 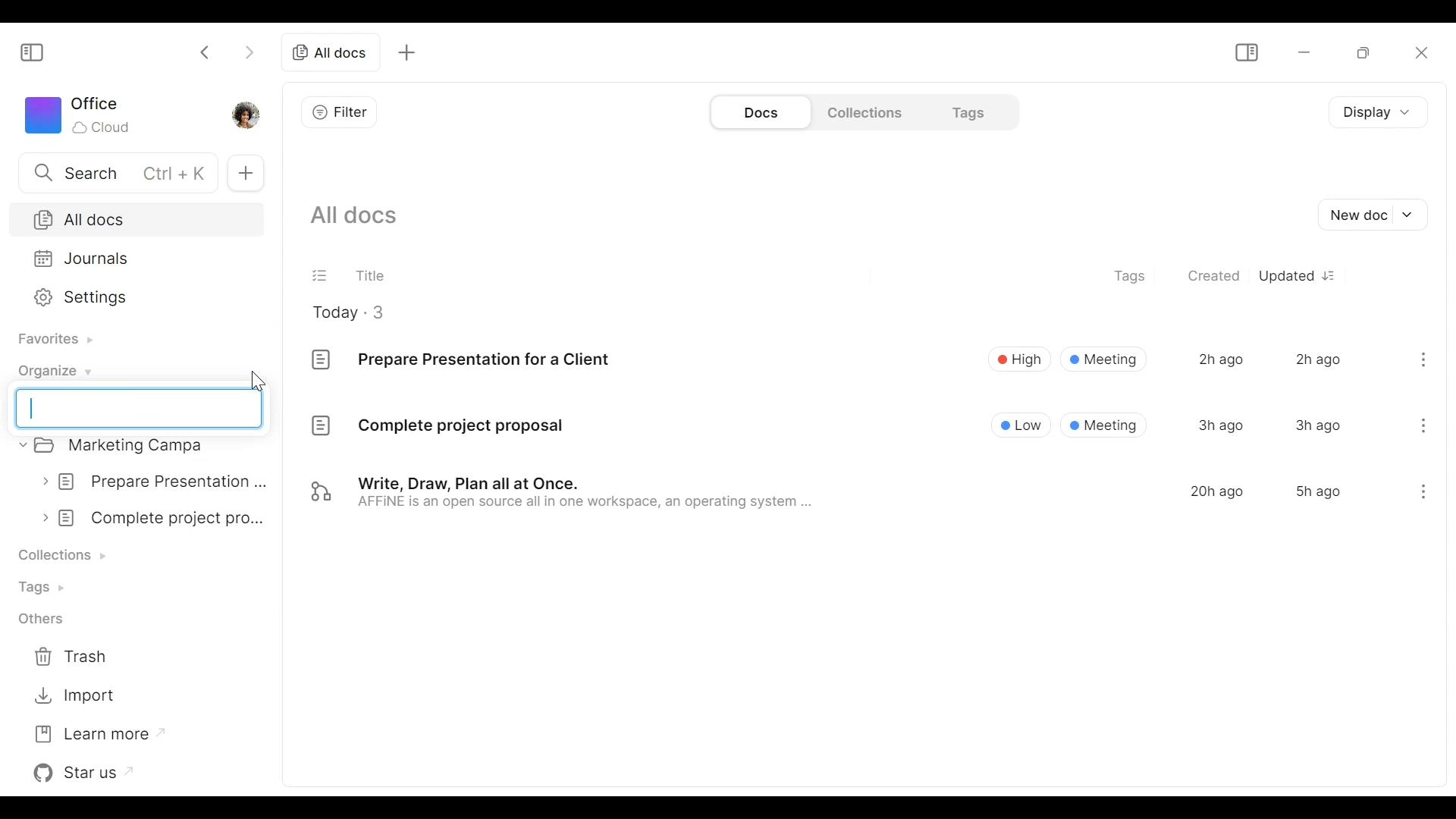 What do you see at coordinates (1221, 425) in the screenshot?
I see `3h ago` at bounding box center [1221, 425].